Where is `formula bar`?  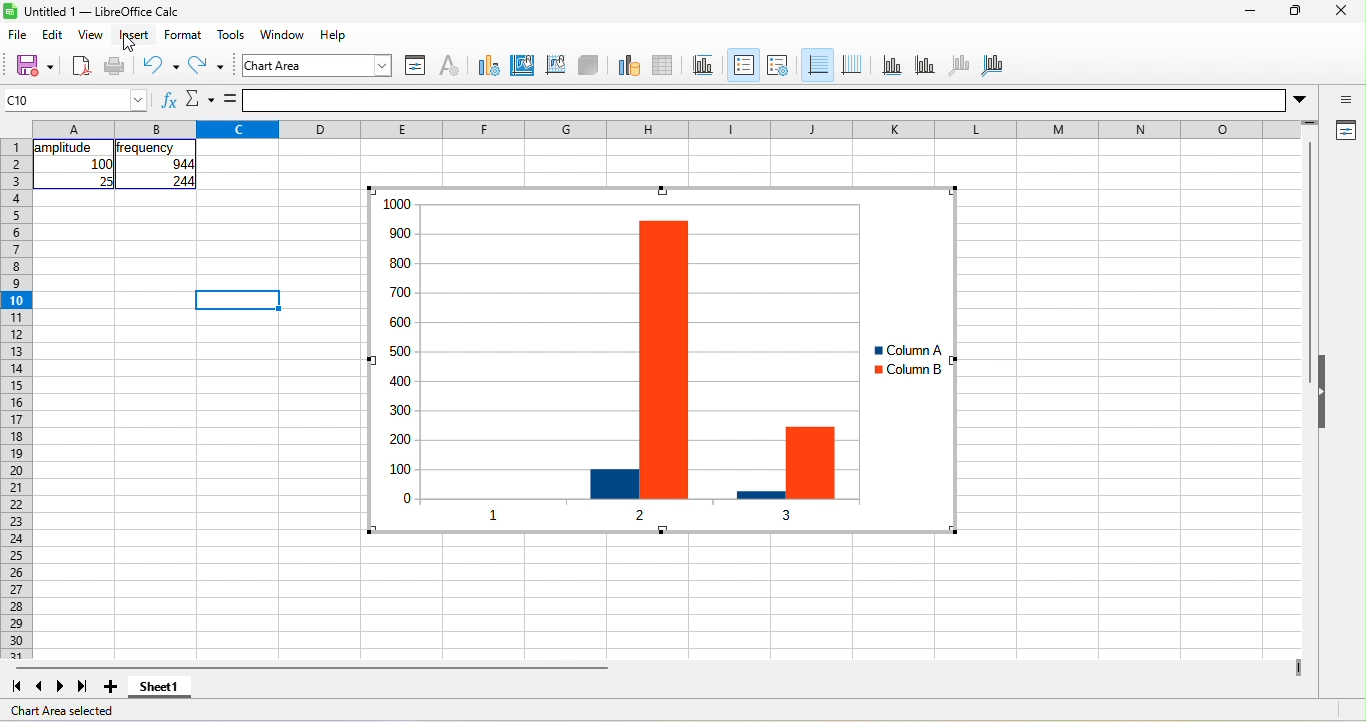
formula bar is located at coordinates (783, 100).